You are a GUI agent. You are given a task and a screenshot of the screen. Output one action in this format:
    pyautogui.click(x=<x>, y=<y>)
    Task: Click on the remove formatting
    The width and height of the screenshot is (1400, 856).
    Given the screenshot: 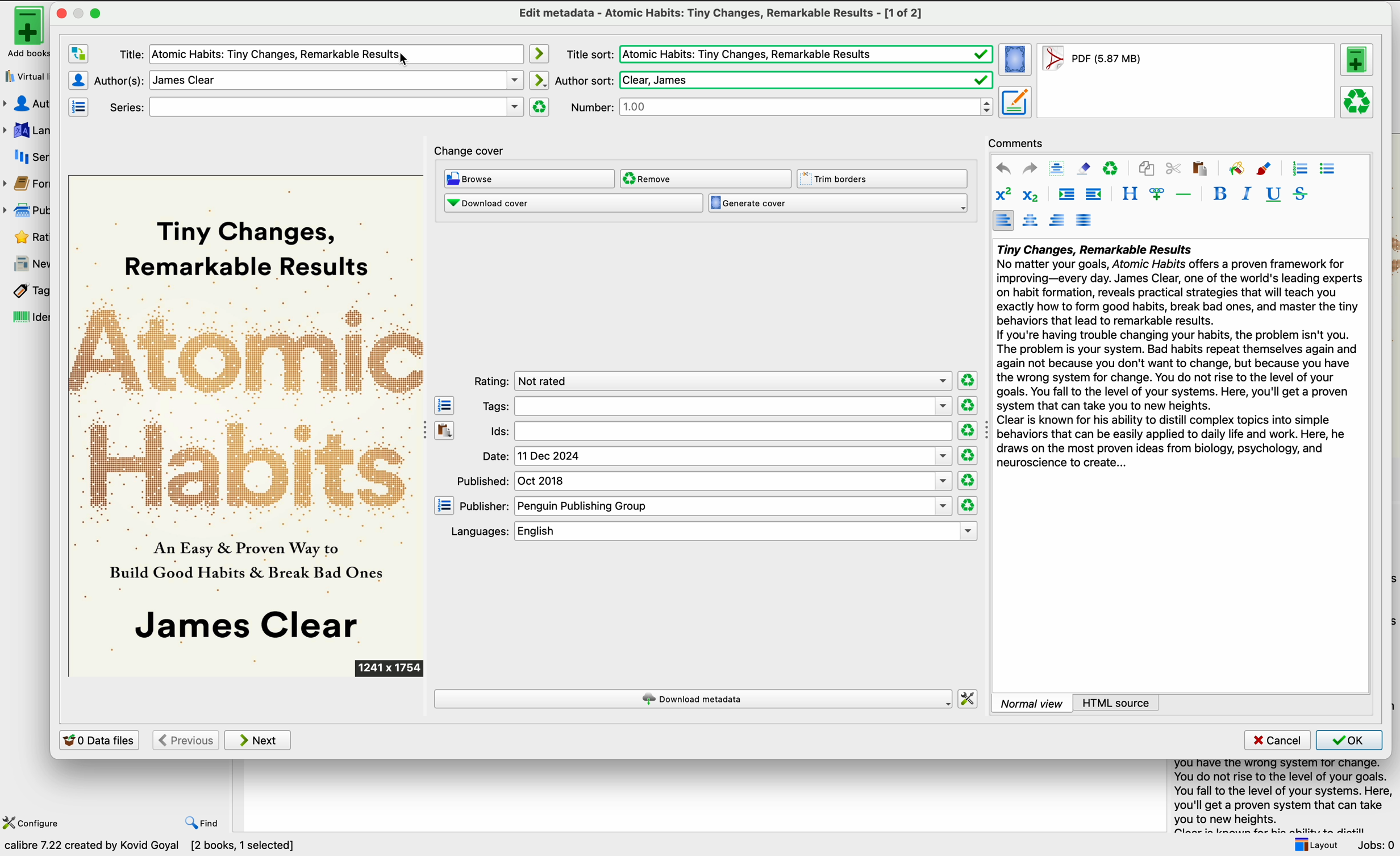 What is the action you would take?
    pyautogui.click(x=1084, y=168)
    